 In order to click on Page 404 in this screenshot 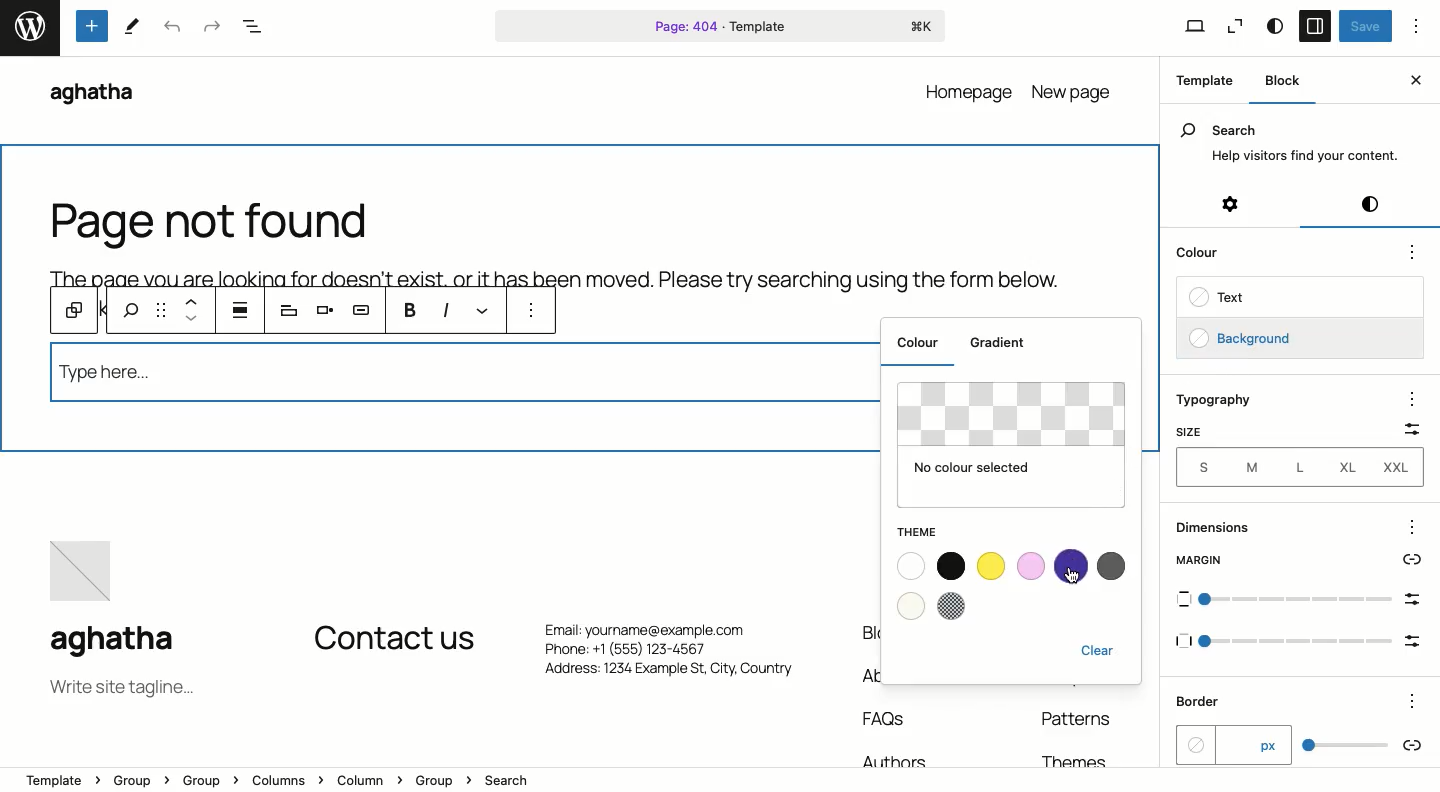, I will do `click(722, 25)`.